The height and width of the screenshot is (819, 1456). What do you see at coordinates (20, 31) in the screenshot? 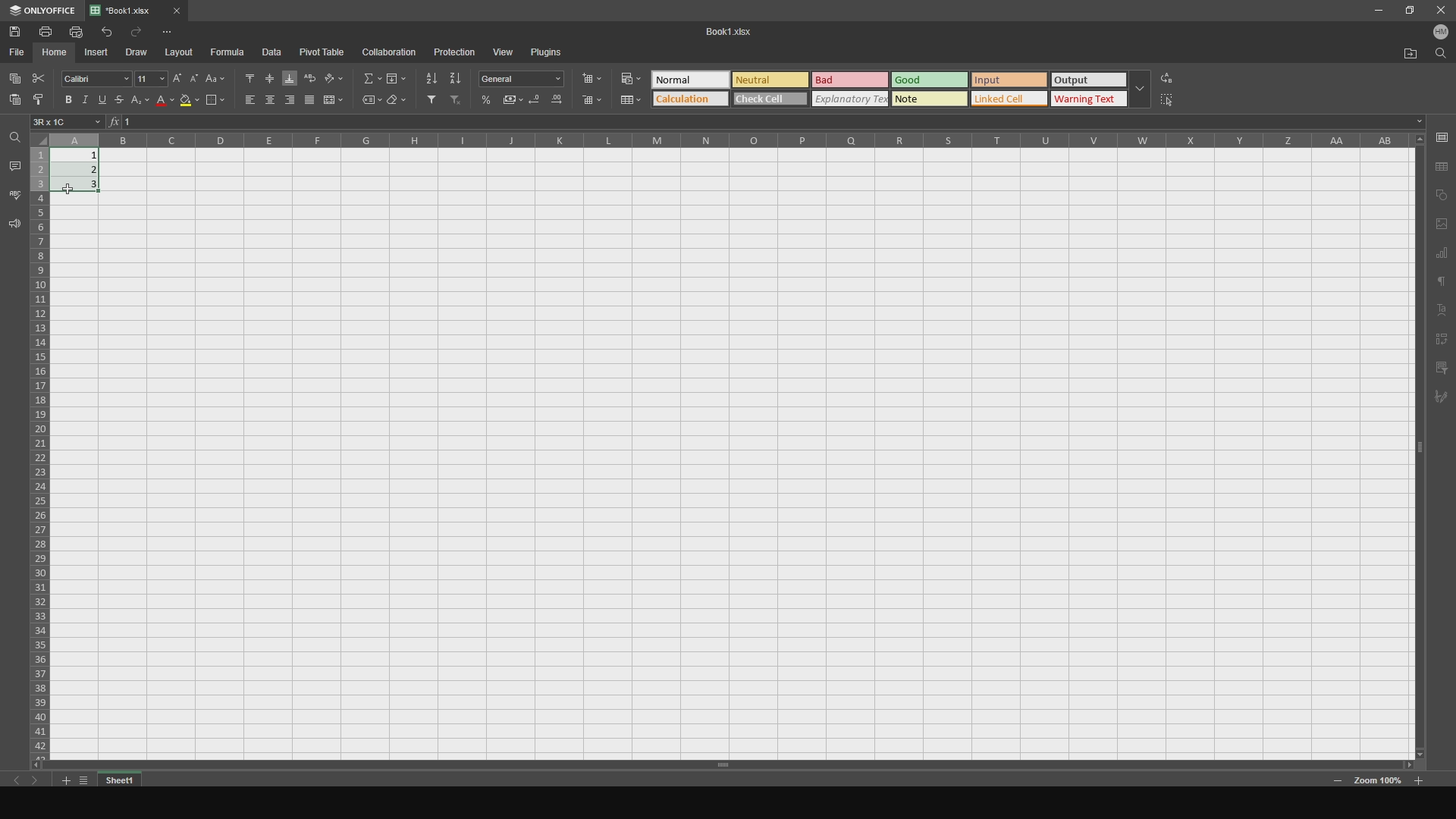
I see `save` at bounding box center [20, 31].